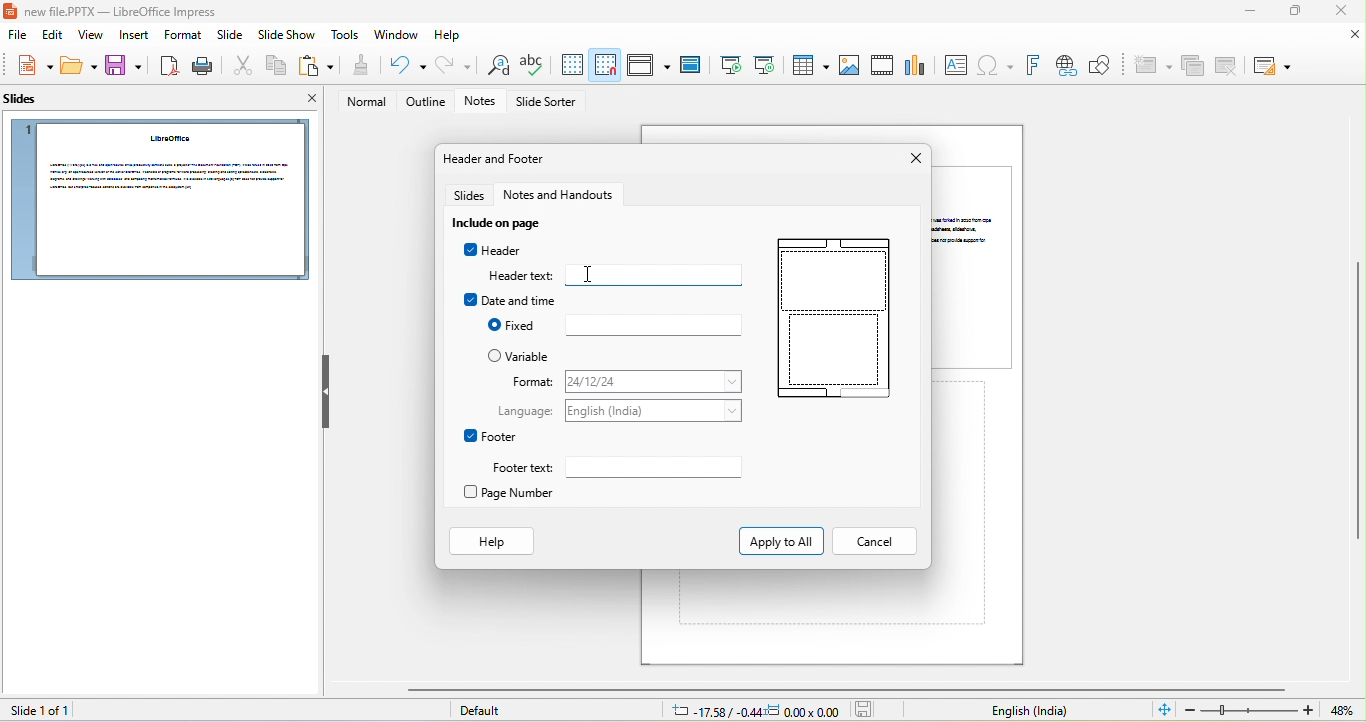  I want to click on paste, so click(316, 66).